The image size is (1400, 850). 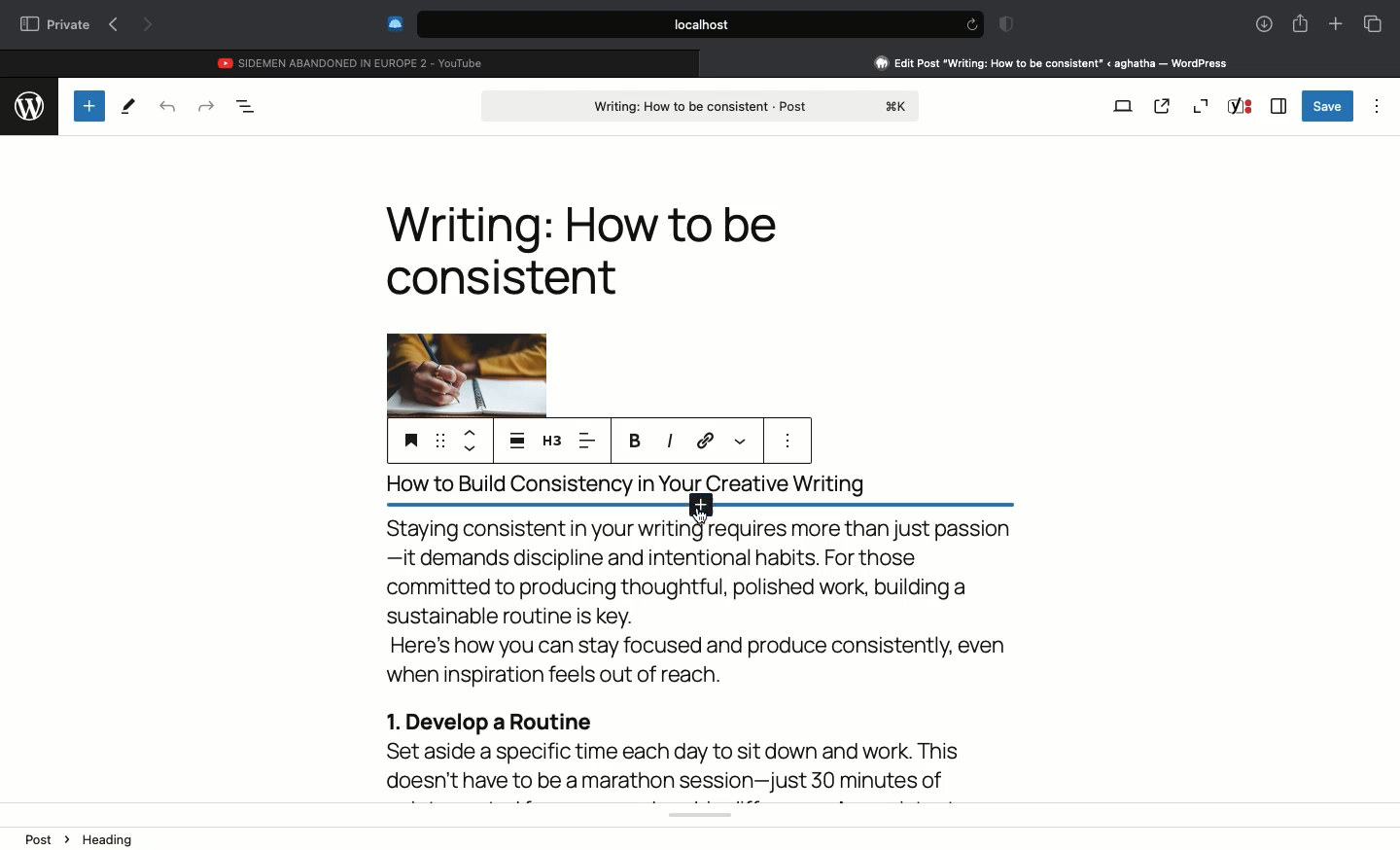 What do you see at coordinates (1052, 62) in the screenshot?
I see `Clicking on Wordpress tab` at bounding box center [1052, 62].